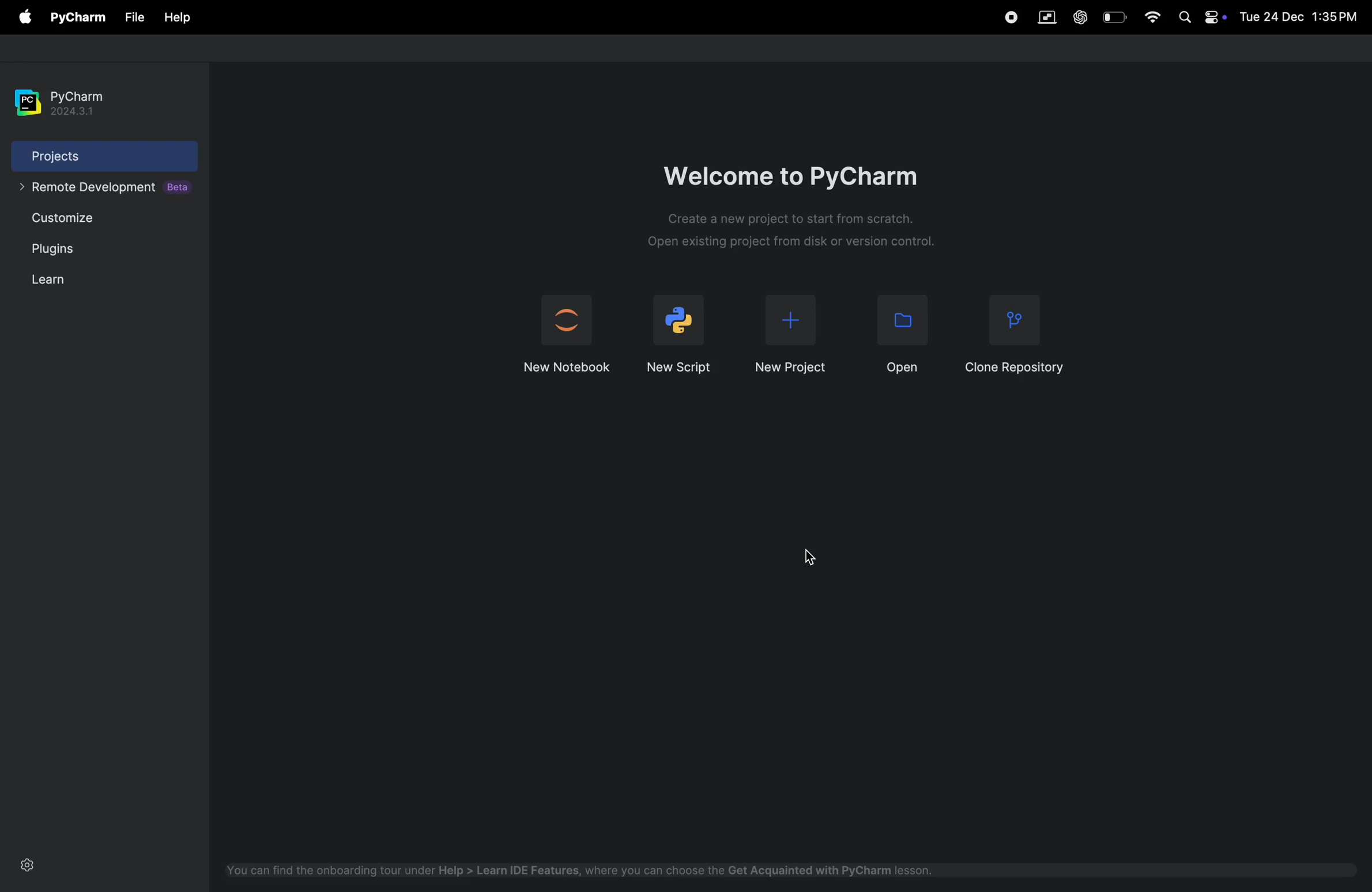 This screenshot has height=892, width=1372. I want to click on file, so click(130, 18).